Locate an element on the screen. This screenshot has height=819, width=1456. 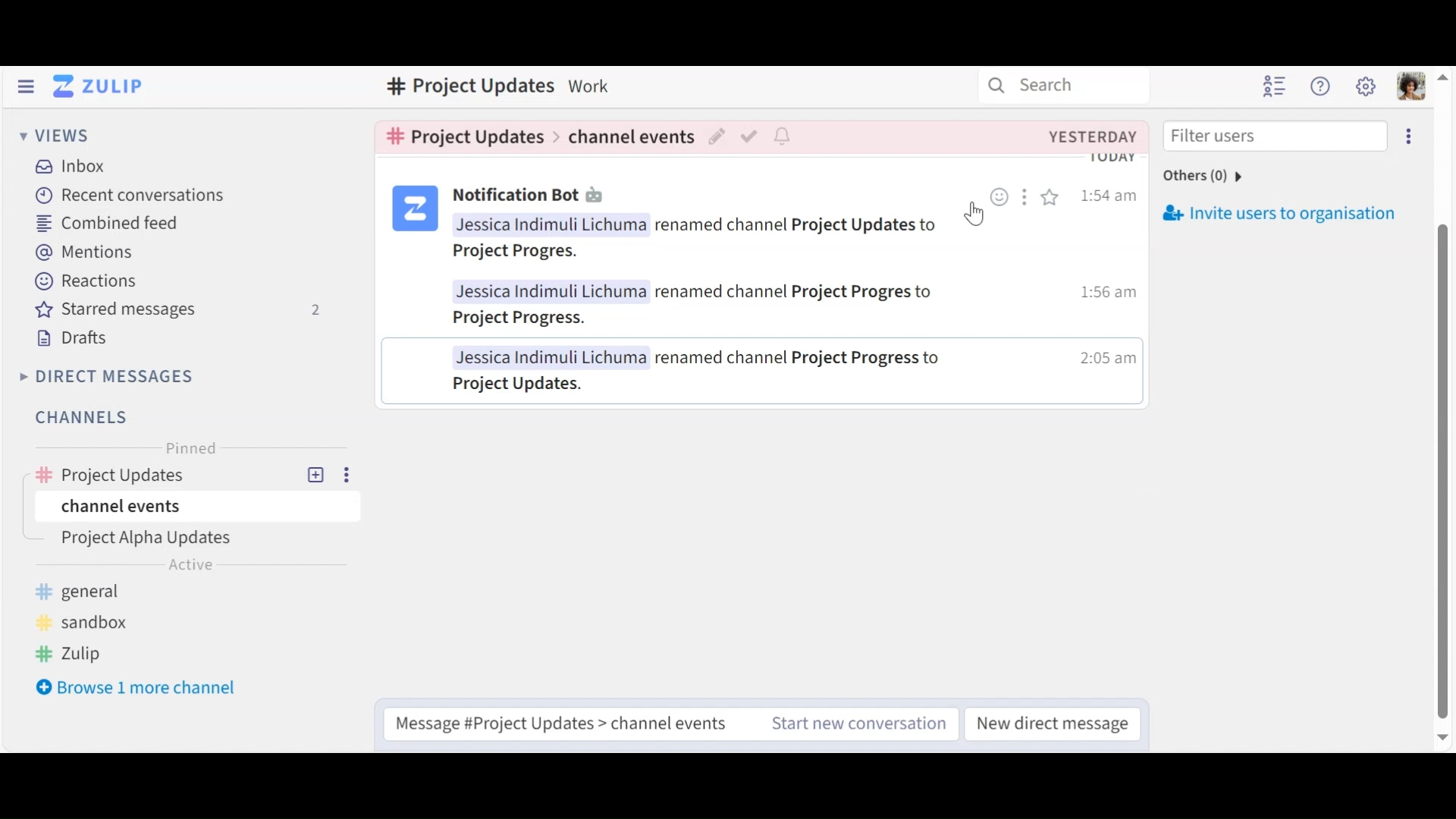
Channel events is located at coordinates (193, 507).